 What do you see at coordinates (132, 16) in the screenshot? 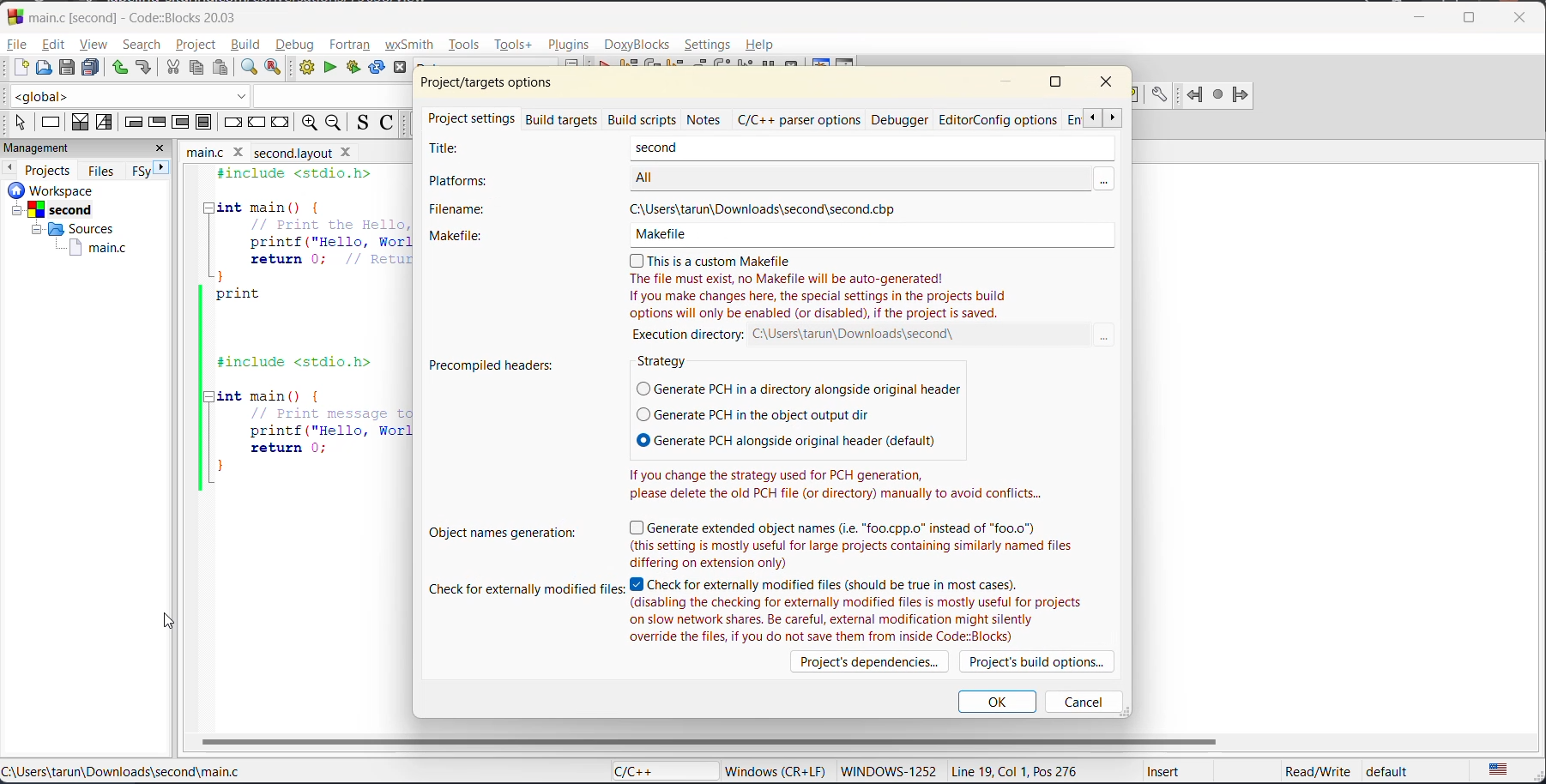
I see `app name and file name` at bounding box center [132, 16].